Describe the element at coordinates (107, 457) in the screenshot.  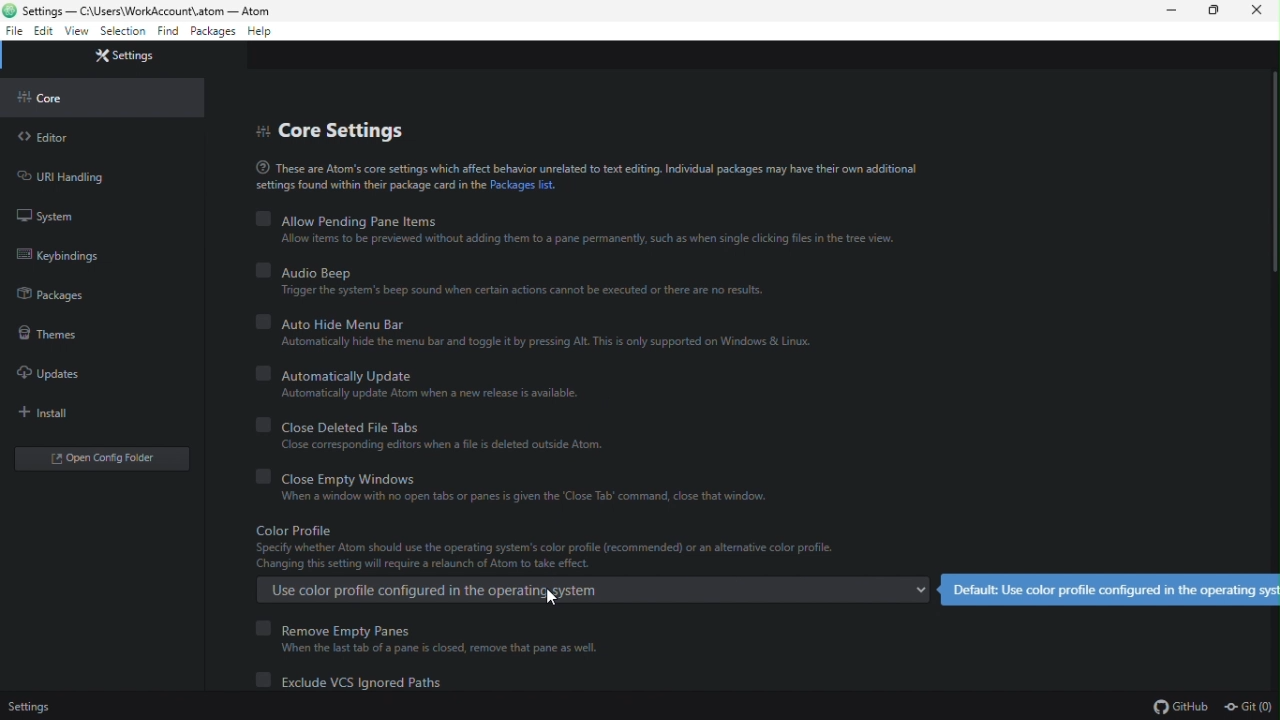
I see `open open` at that location.